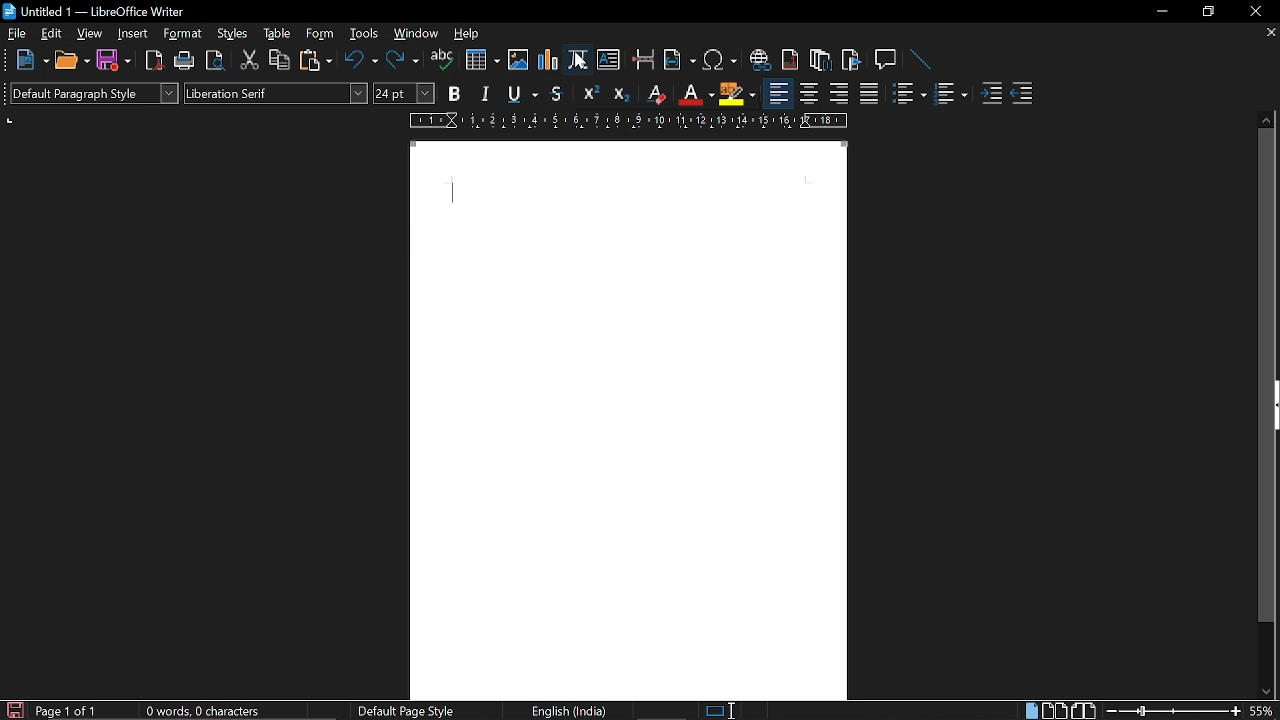 The width and height of the screenshot is (1280, 720). I want to click on supercript, so click(588, 93).